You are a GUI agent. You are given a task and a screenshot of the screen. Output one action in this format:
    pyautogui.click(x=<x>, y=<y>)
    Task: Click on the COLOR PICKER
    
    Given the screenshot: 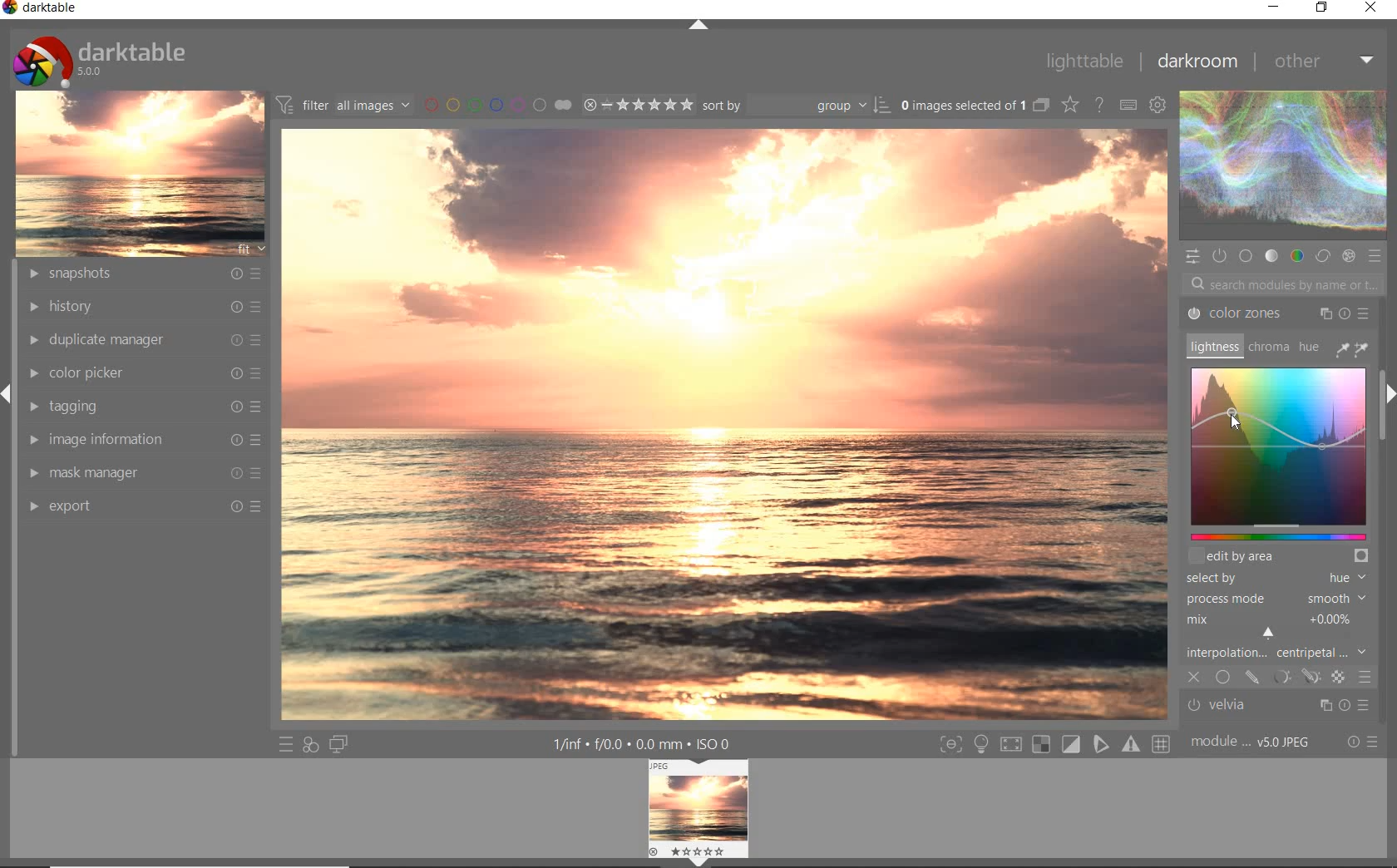 What is the action you would take?
    pyautogui.click(x=148, y=372)
    